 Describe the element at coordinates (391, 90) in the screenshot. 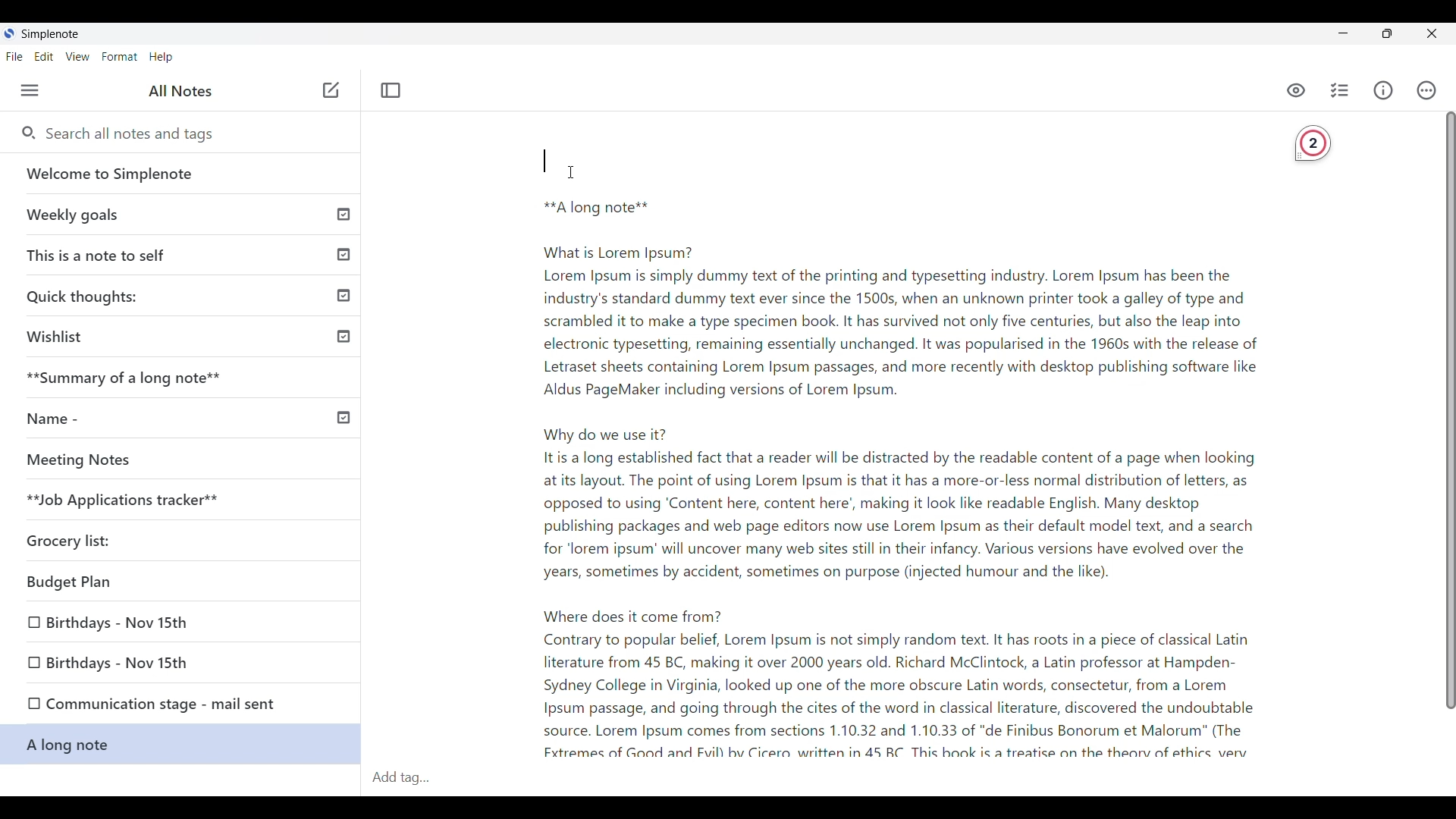

I see `Toggle focus mode` at that location.